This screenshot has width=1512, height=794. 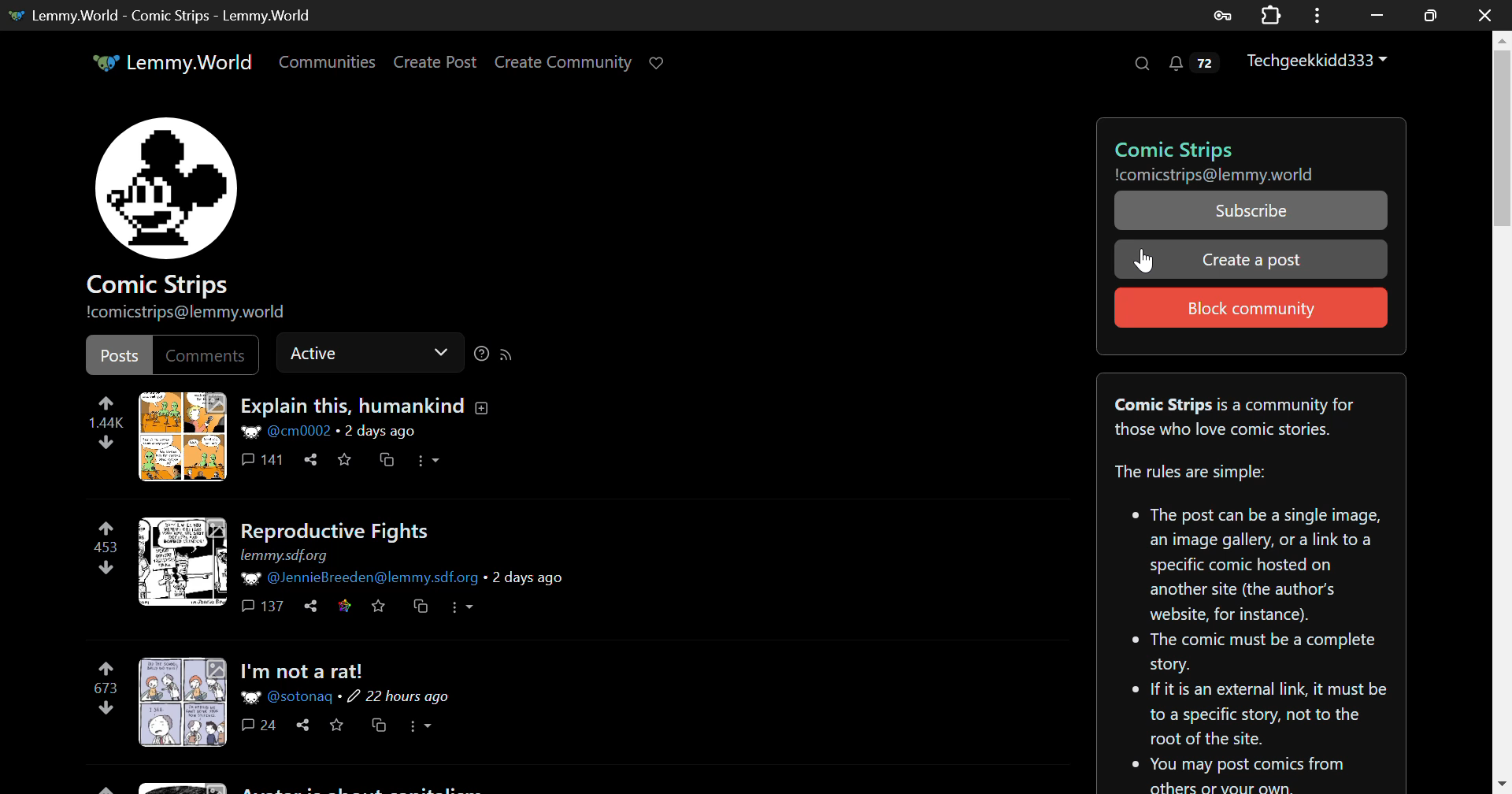 What do you see at coordinates (1192, 67) in the screenshot?
I see `Notifications` at bounding box center [1192, 67].